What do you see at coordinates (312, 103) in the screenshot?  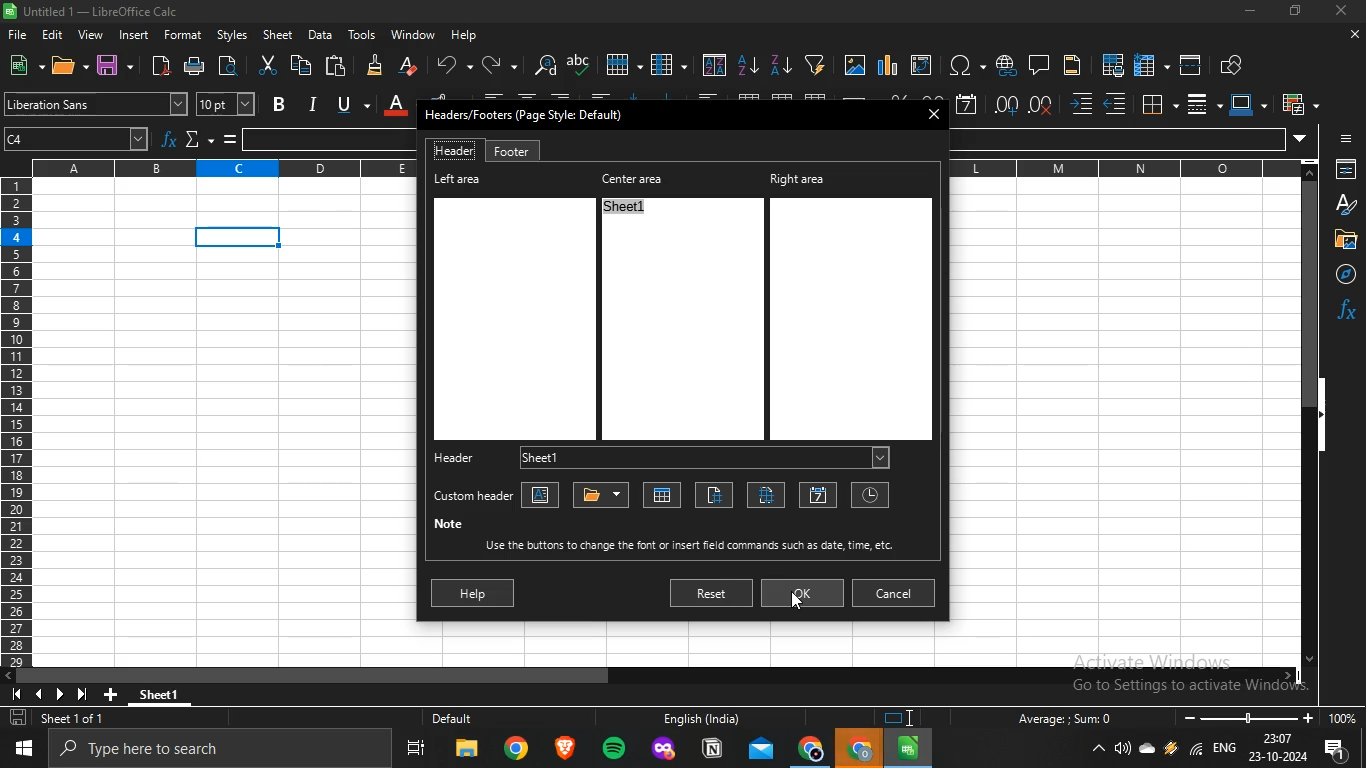 I see `italic` at bounding box center [312, 103].